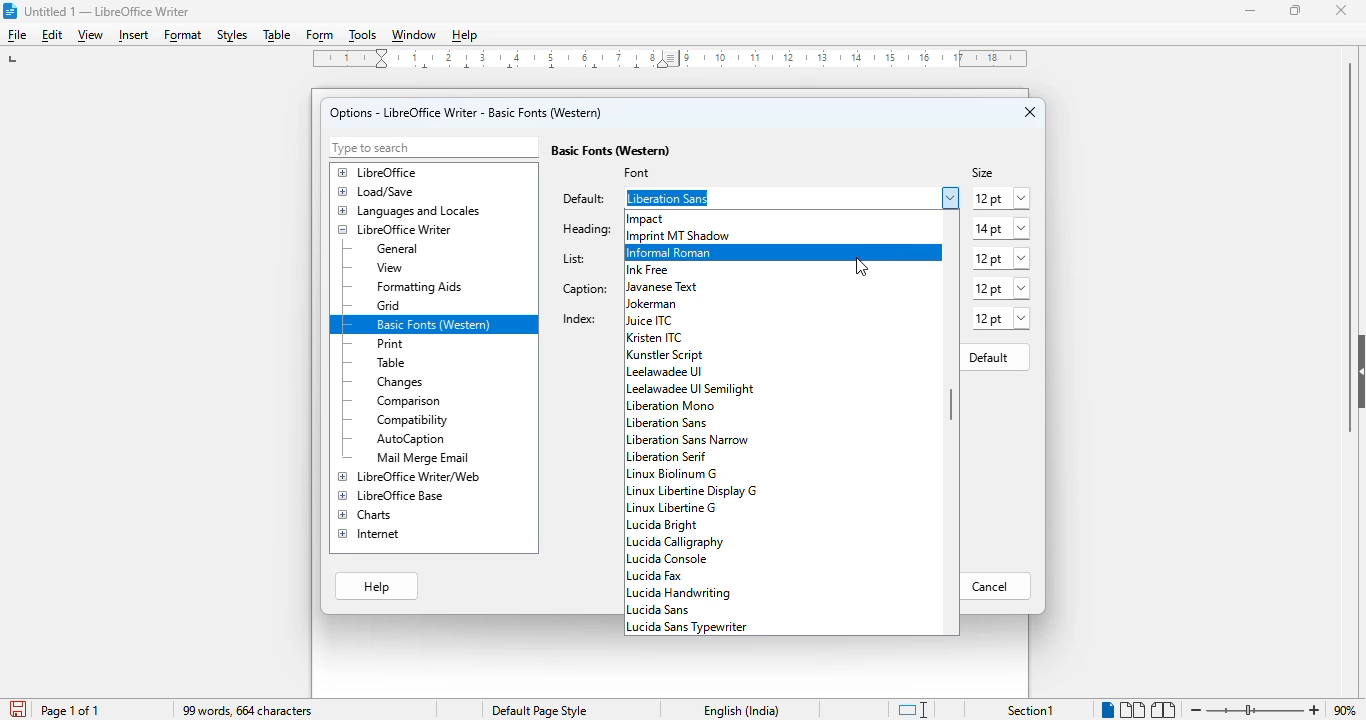  Describe the element at coordinates (584, 199) in the screenshot. I see `default:` at that location.